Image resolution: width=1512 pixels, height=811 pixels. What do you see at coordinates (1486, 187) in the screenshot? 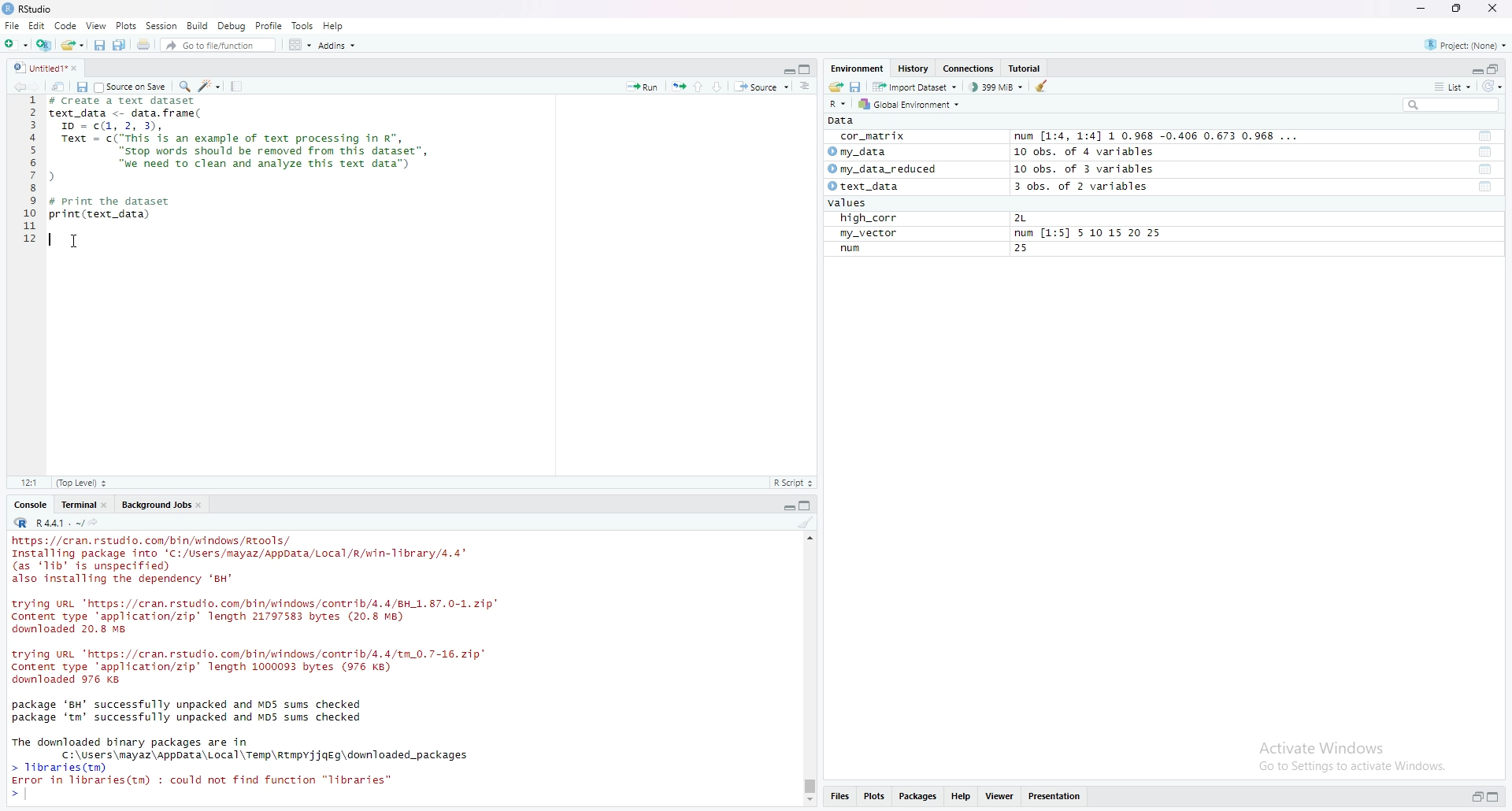
I see `functions` at bounding box center [1486, 187].